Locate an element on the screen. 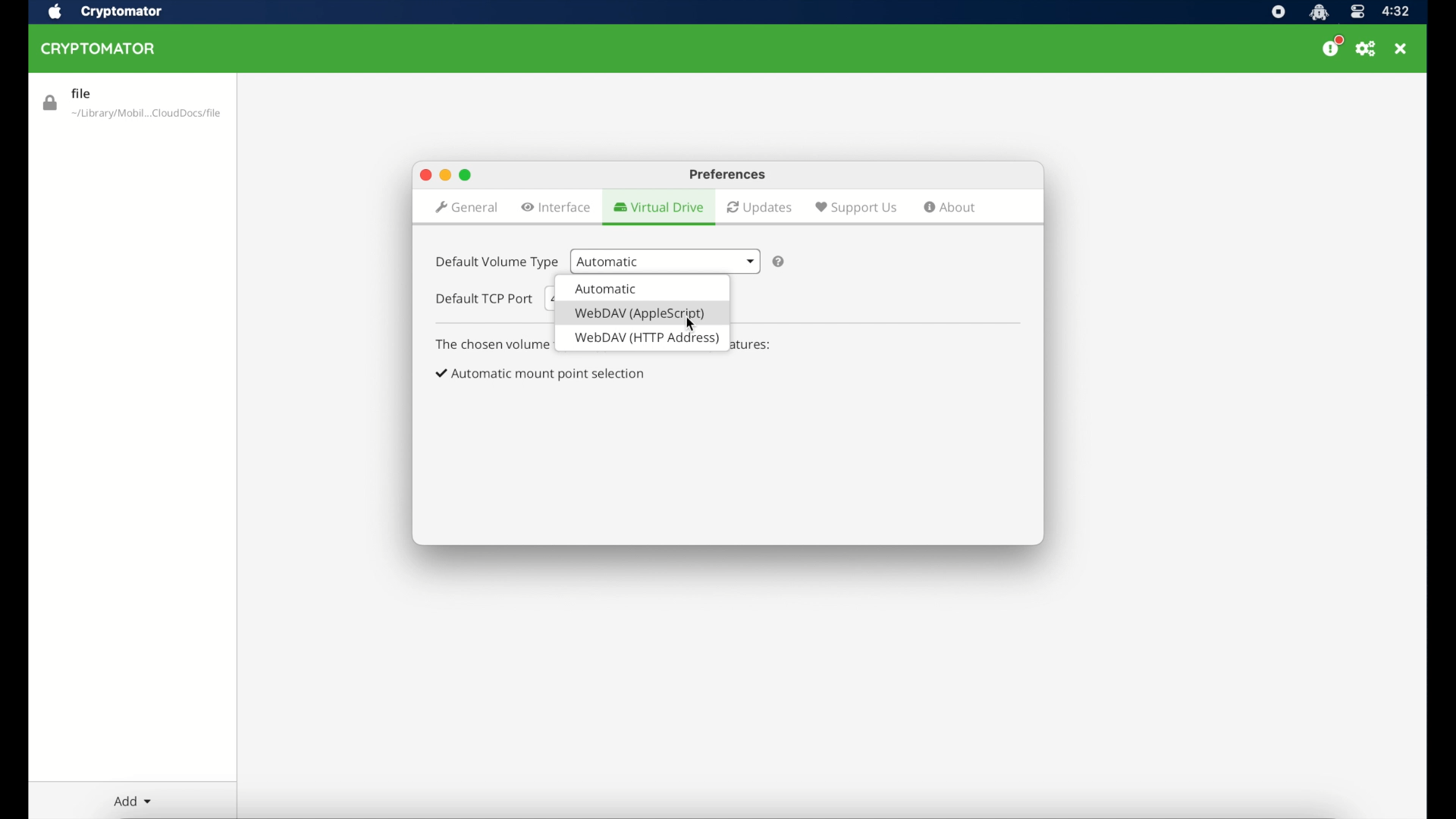  question mark icon is located at coordinates (778, 262).